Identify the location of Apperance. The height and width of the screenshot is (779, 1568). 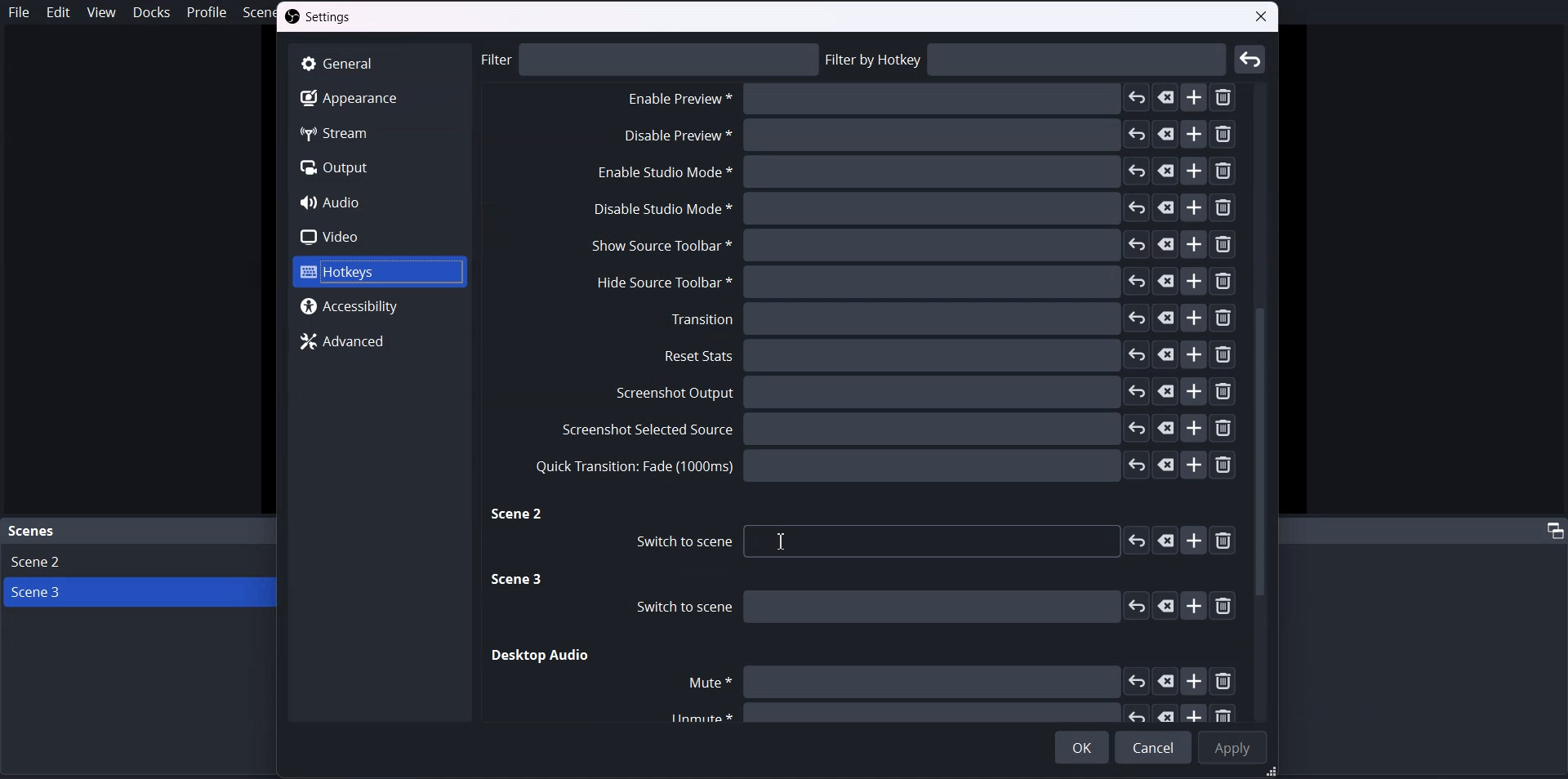
(377, 97).